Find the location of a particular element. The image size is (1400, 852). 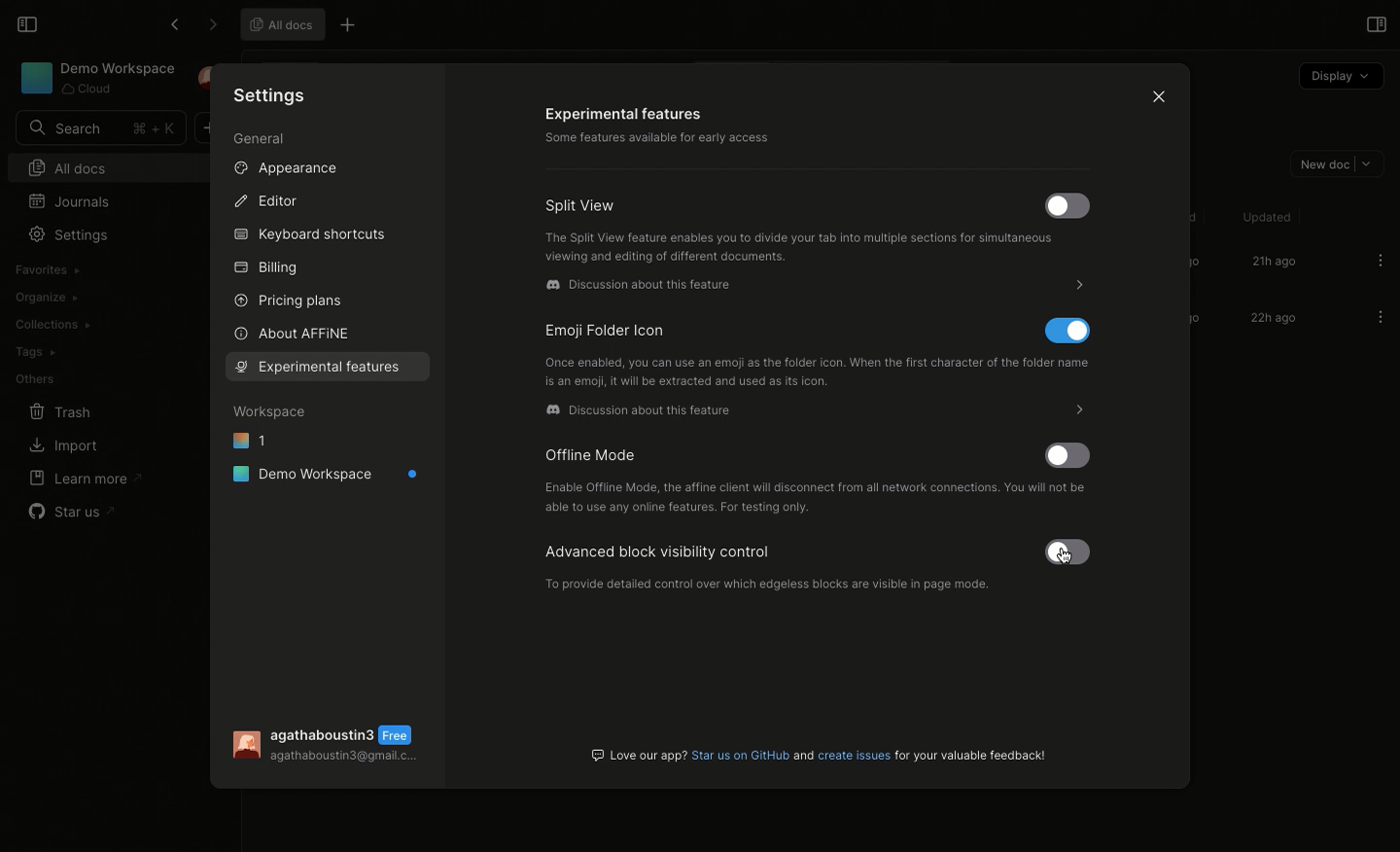

Editor is located at coordinates (264, 199).